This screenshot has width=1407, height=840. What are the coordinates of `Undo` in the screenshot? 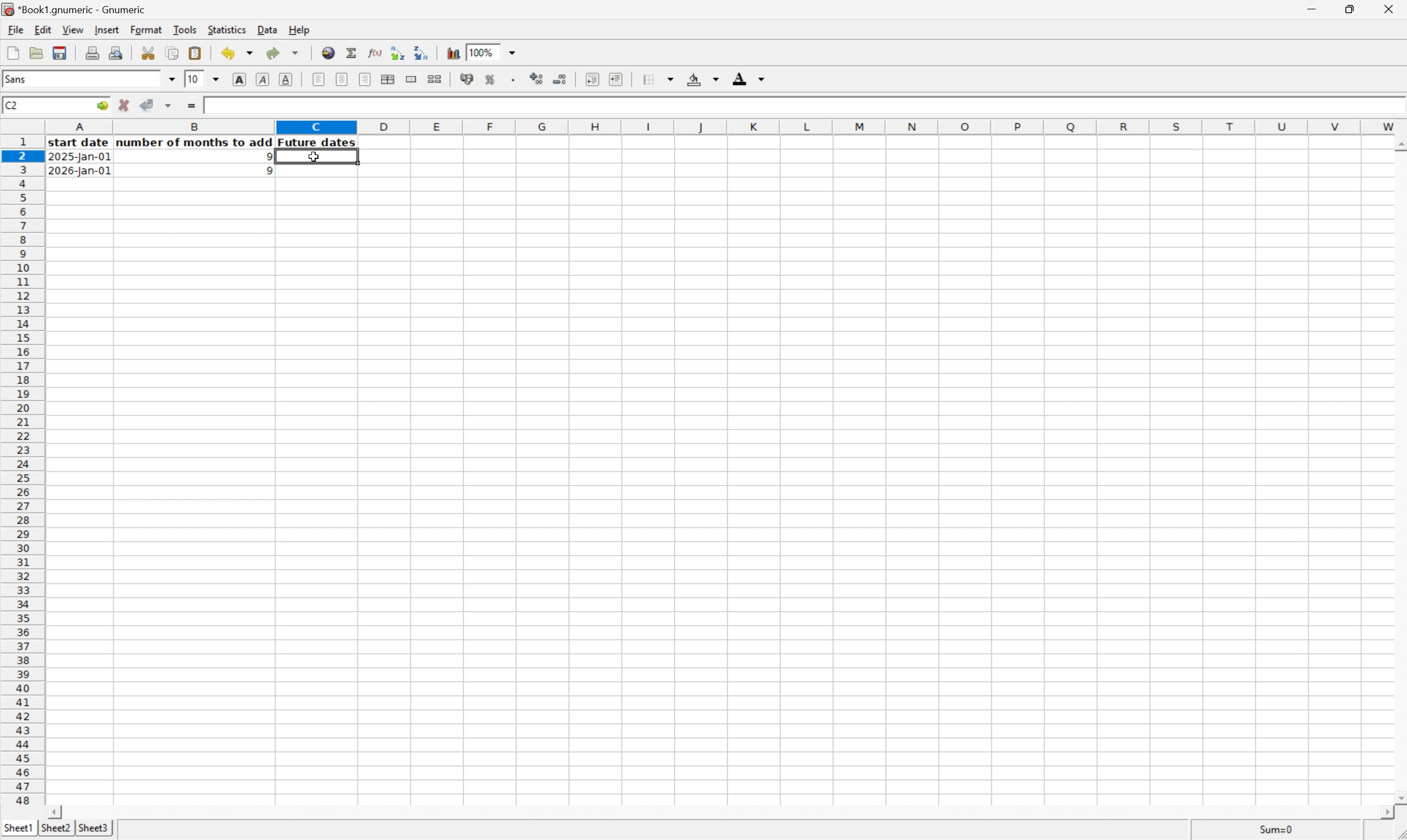 It's located at (236, 53).